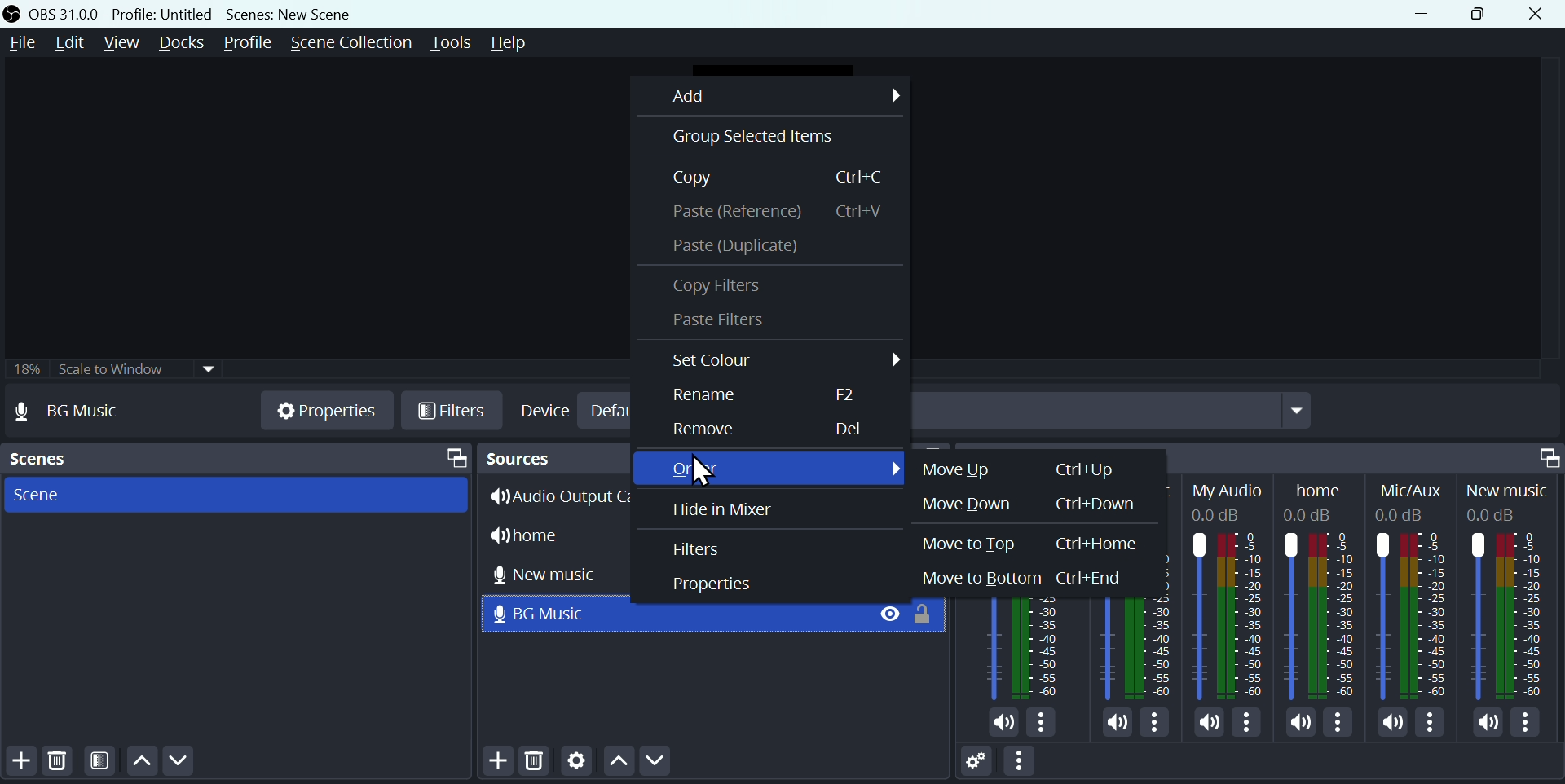  I want to click on BG Music, so click(85, 412).